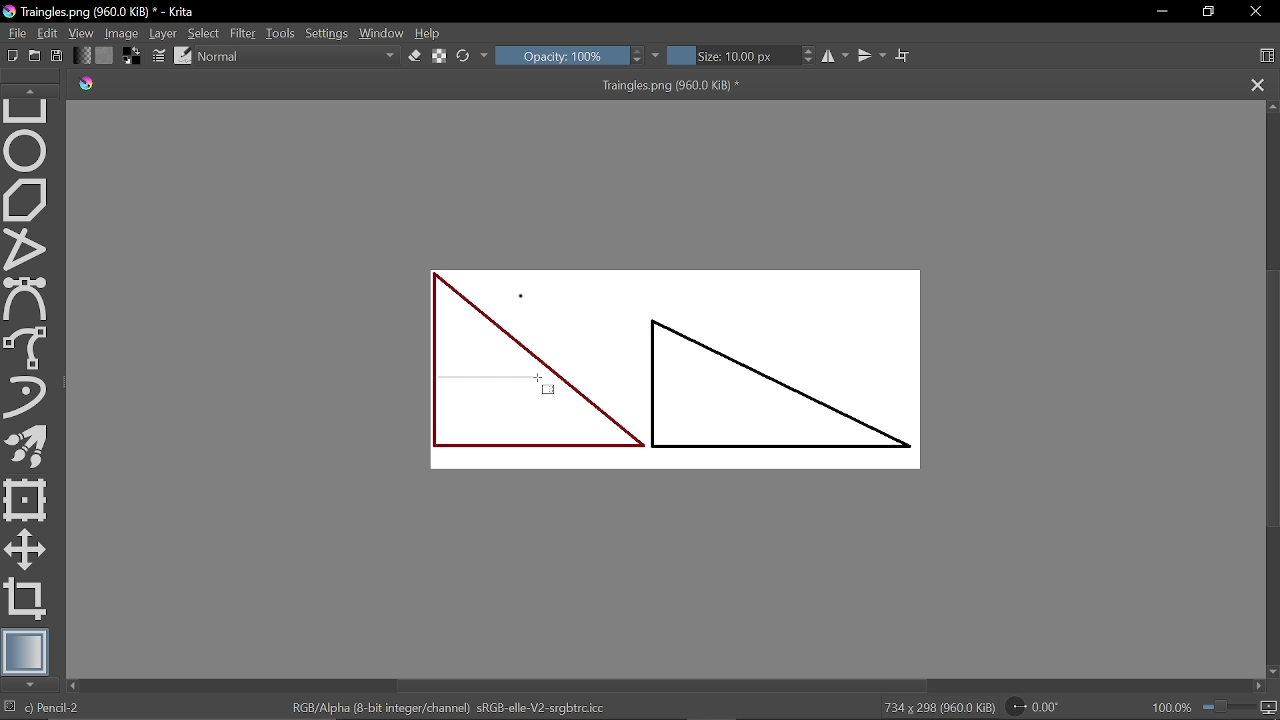  I want to click on Window, so click(382, 33).